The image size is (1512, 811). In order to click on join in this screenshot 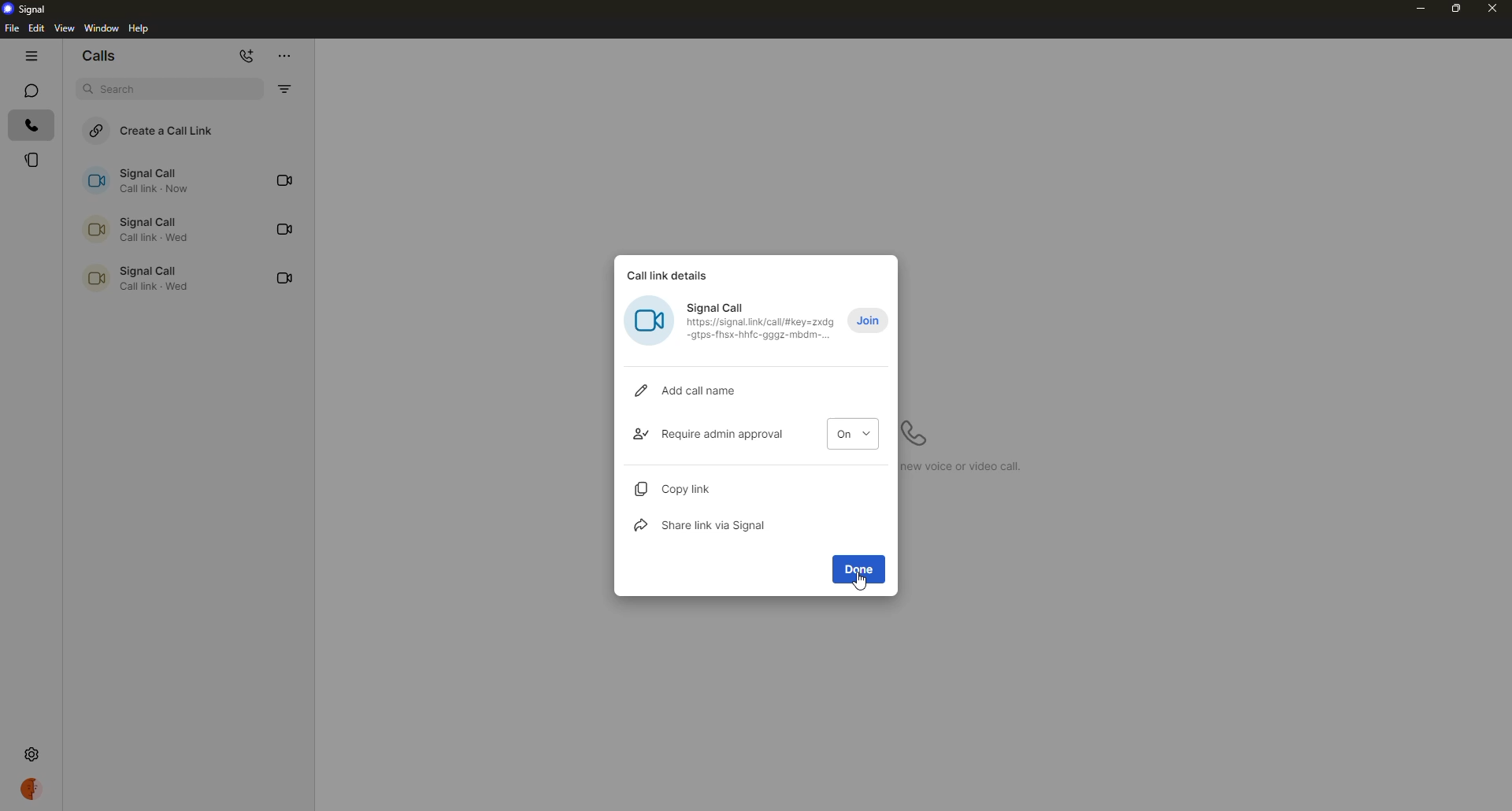, I will do `click(869, 320)`.